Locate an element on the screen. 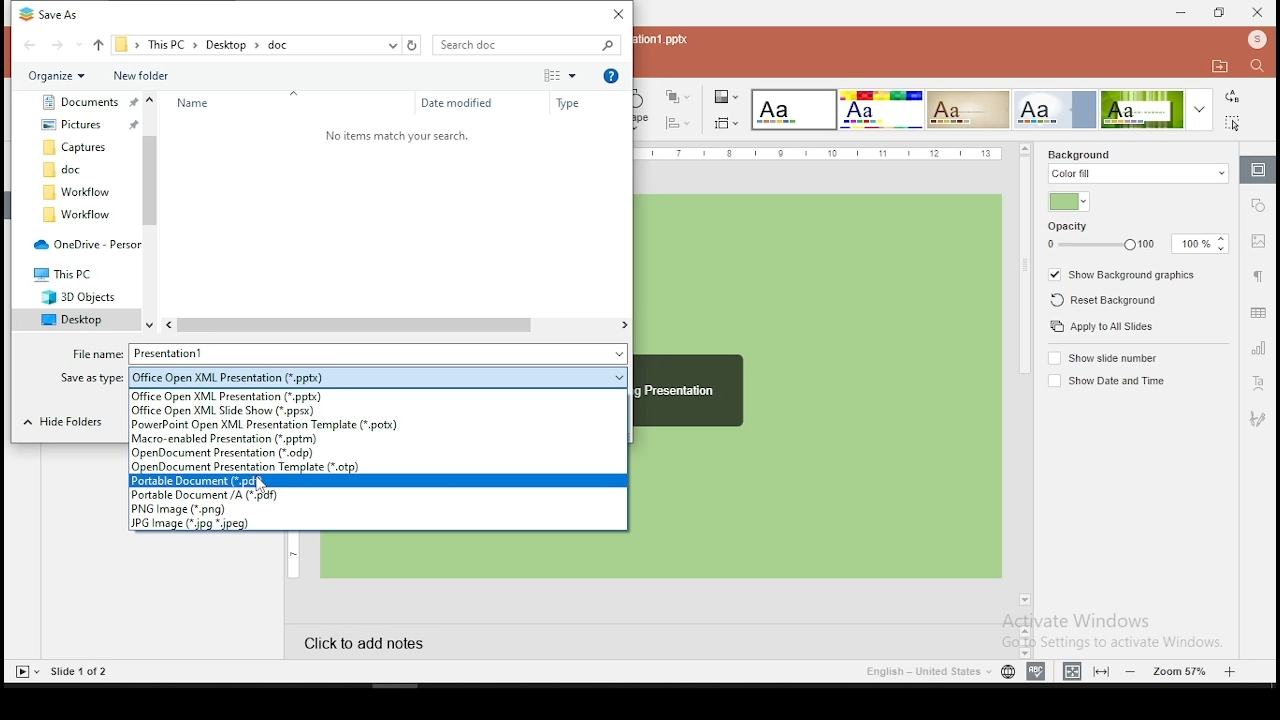  select color theme is located at coordinates (968, 109).